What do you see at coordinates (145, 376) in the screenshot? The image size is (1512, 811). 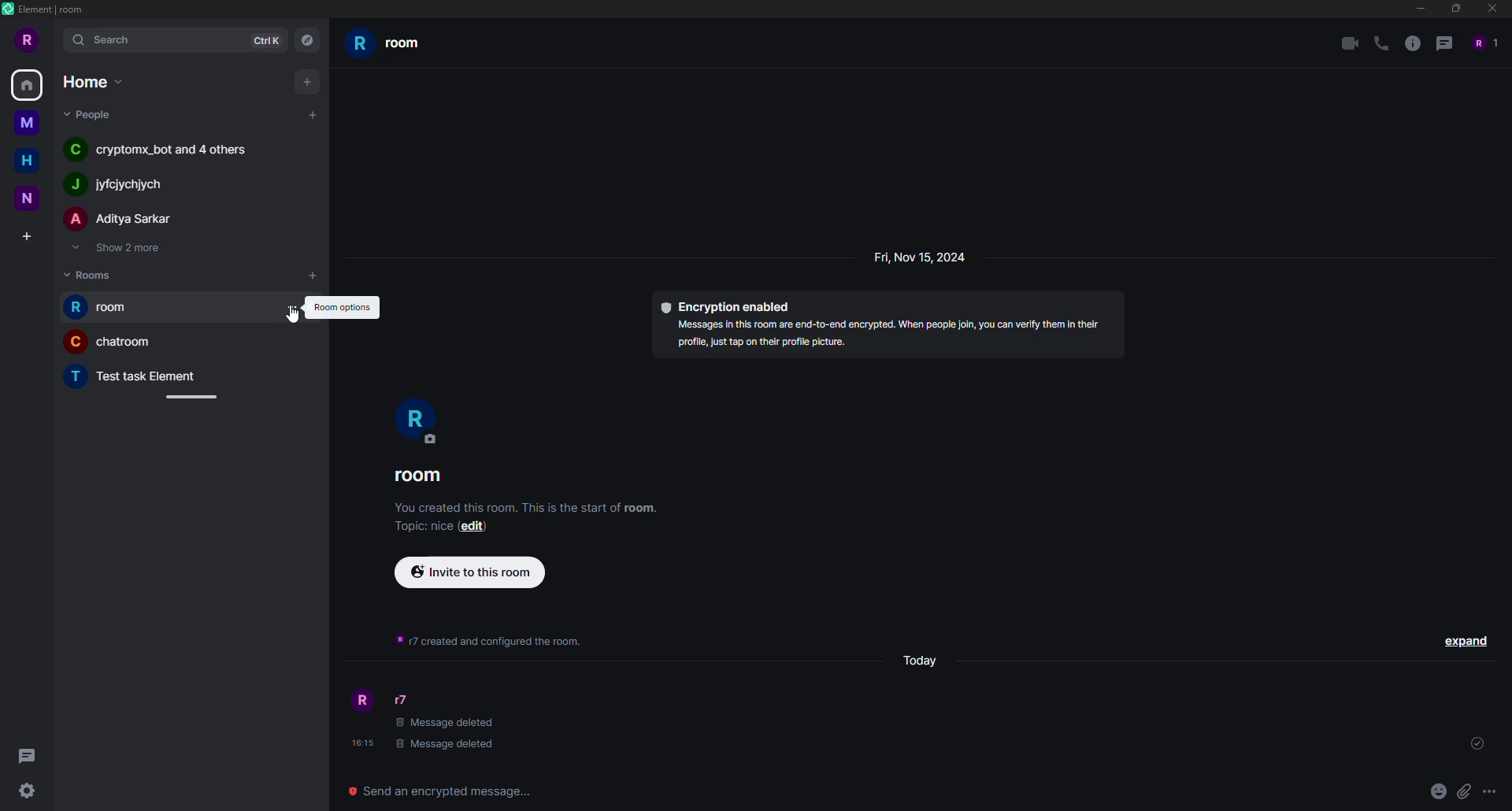 I see `T Test task Element` at bounding box center [145, 376].